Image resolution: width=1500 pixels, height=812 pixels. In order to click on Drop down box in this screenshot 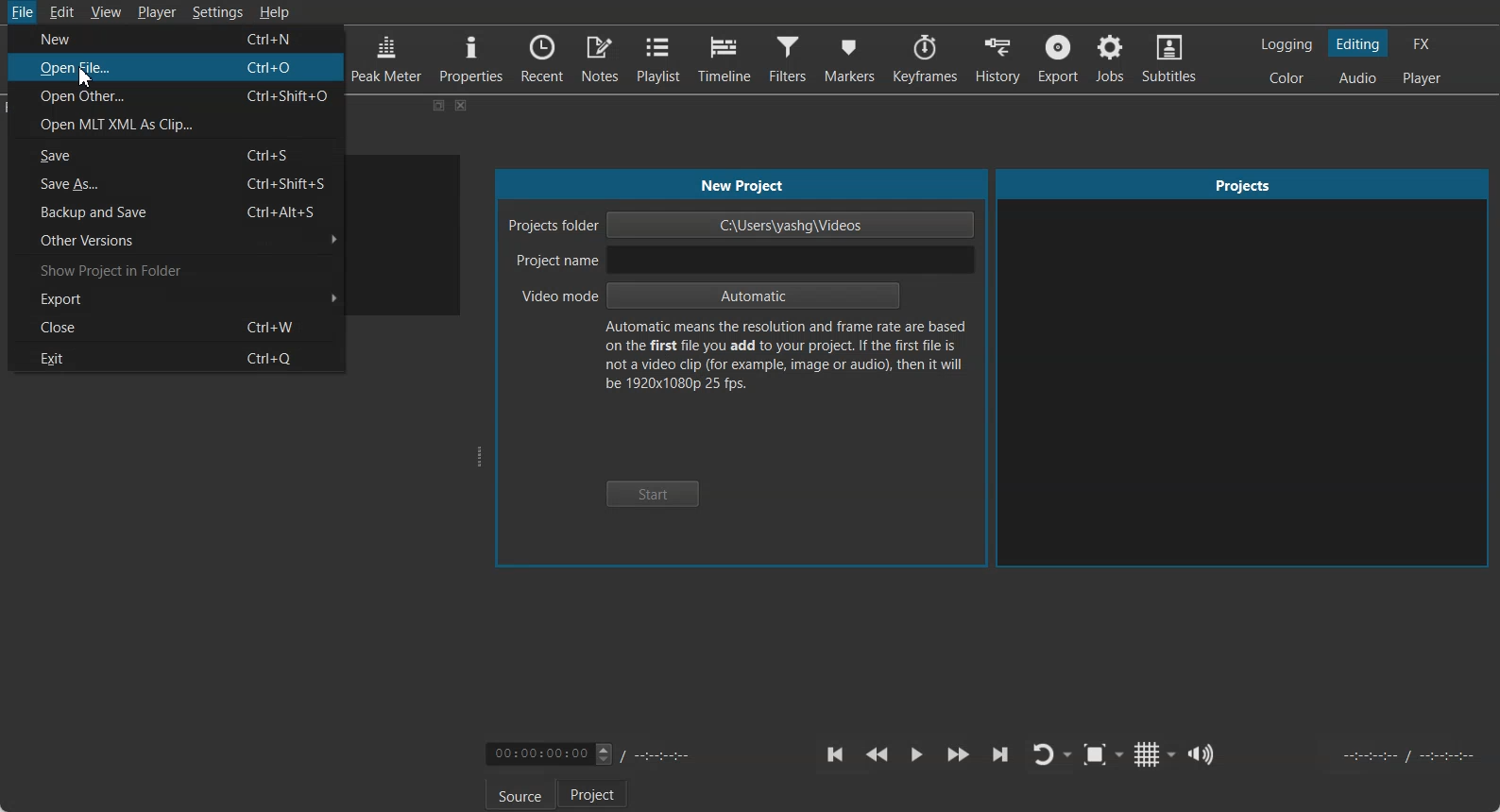, I will do `click(1123, 753)`.